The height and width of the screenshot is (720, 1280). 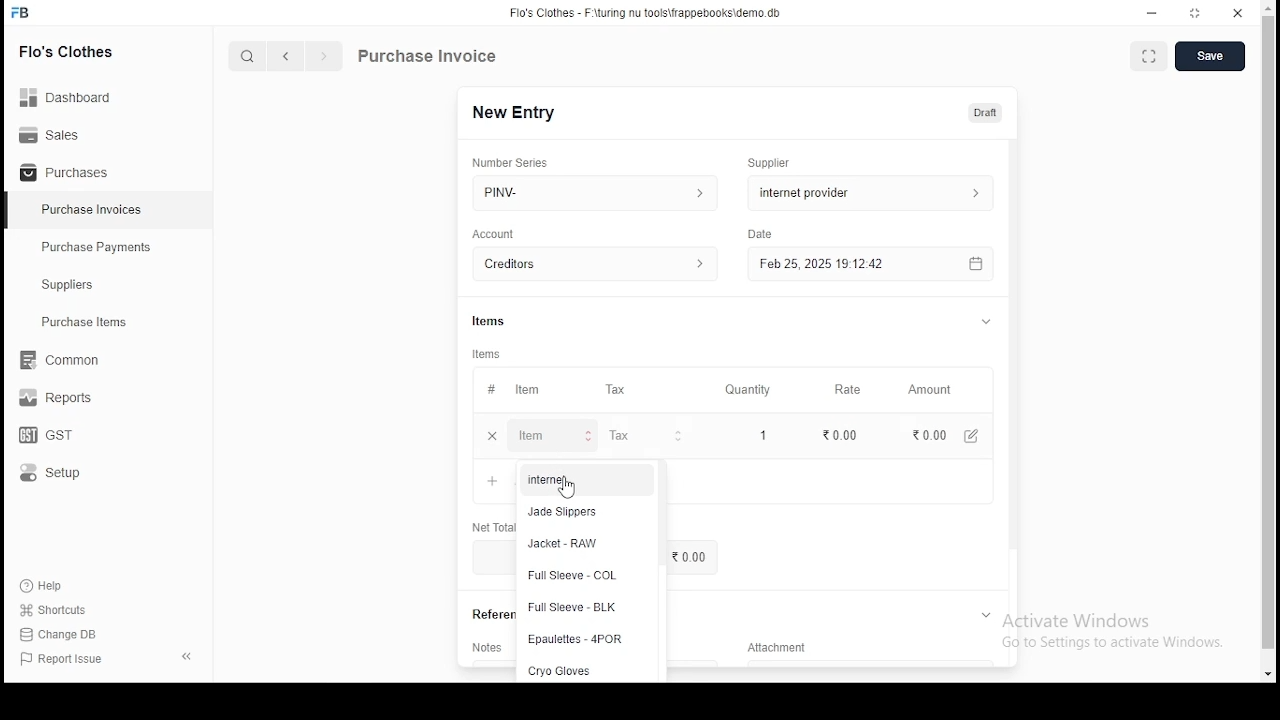 What do you see at coordinates (287, 57) in the screenshot?
I see `previous` at bounding box center [287, 57].